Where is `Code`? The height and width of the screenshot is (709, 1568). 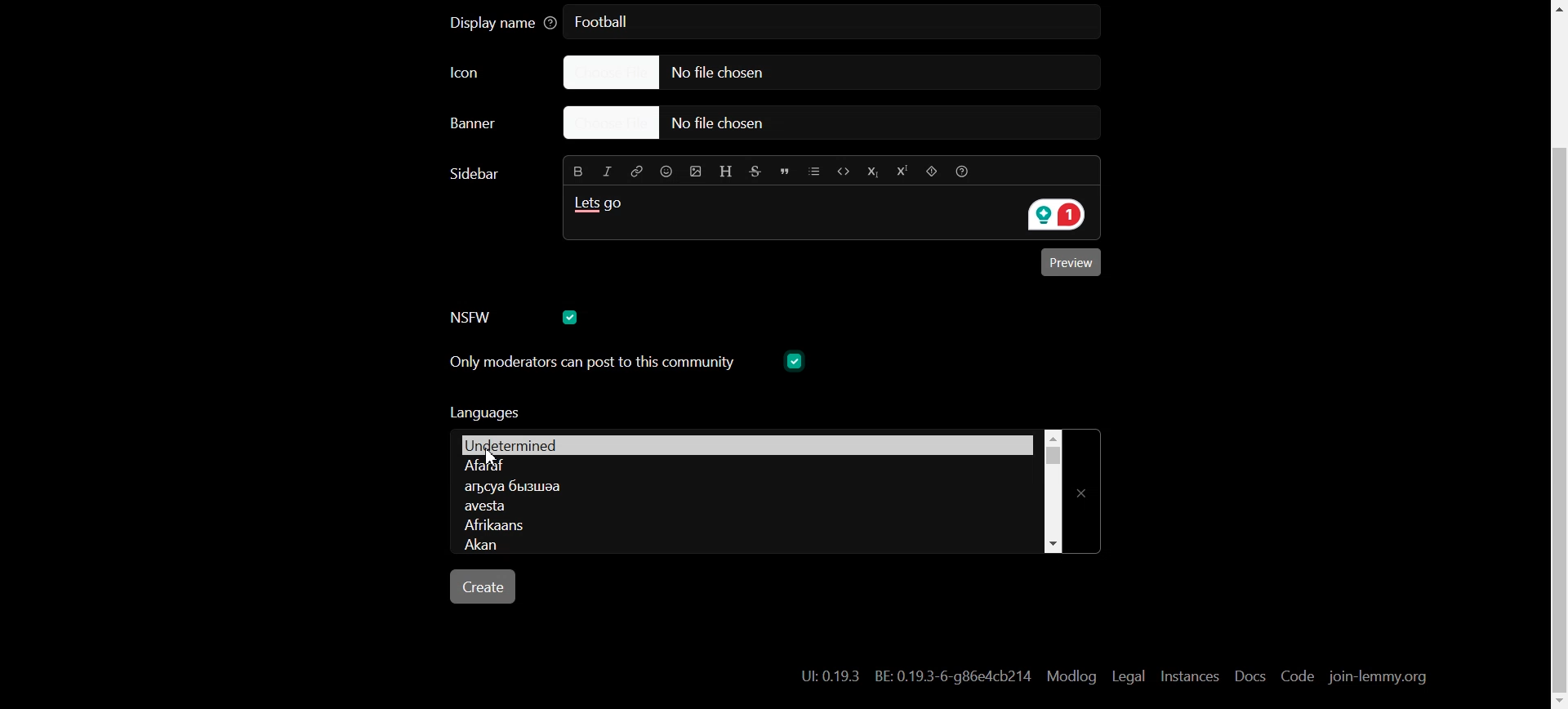
Code is located at coordinates (842, 170).